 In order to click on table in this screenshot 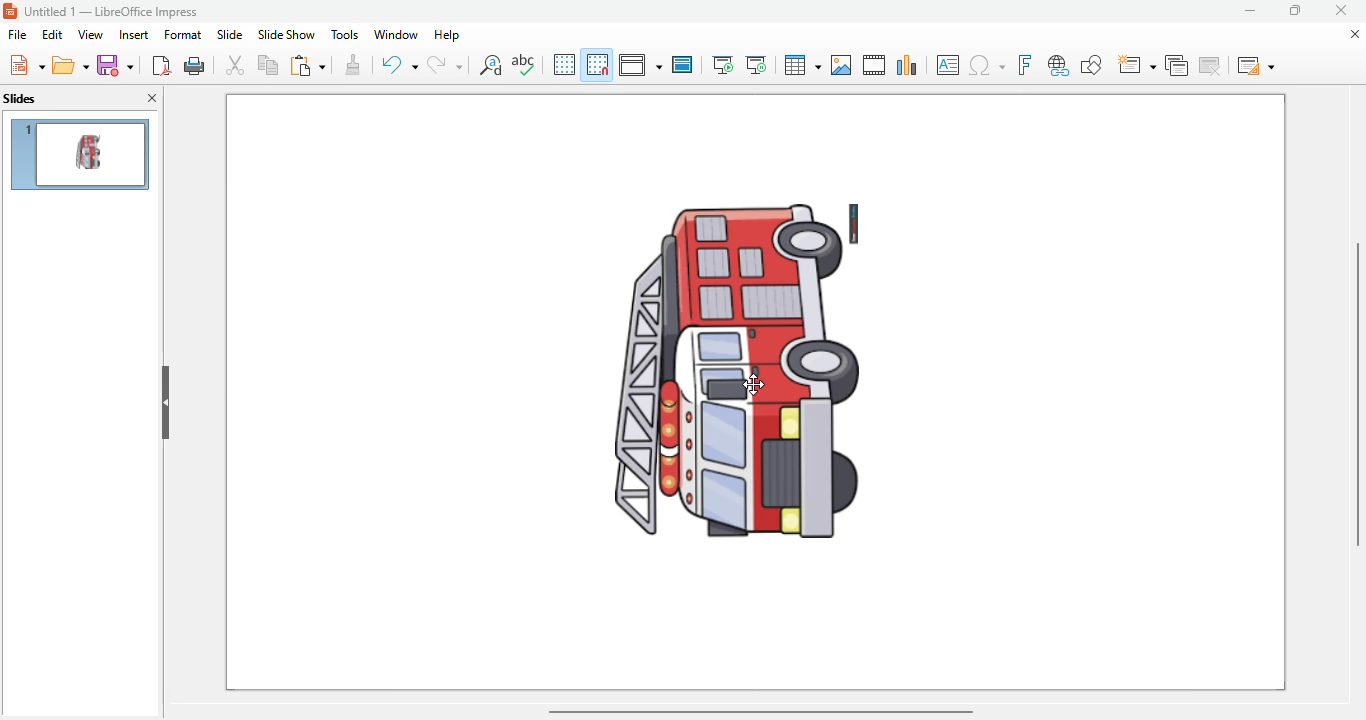, I will do `click(803, 65)`.